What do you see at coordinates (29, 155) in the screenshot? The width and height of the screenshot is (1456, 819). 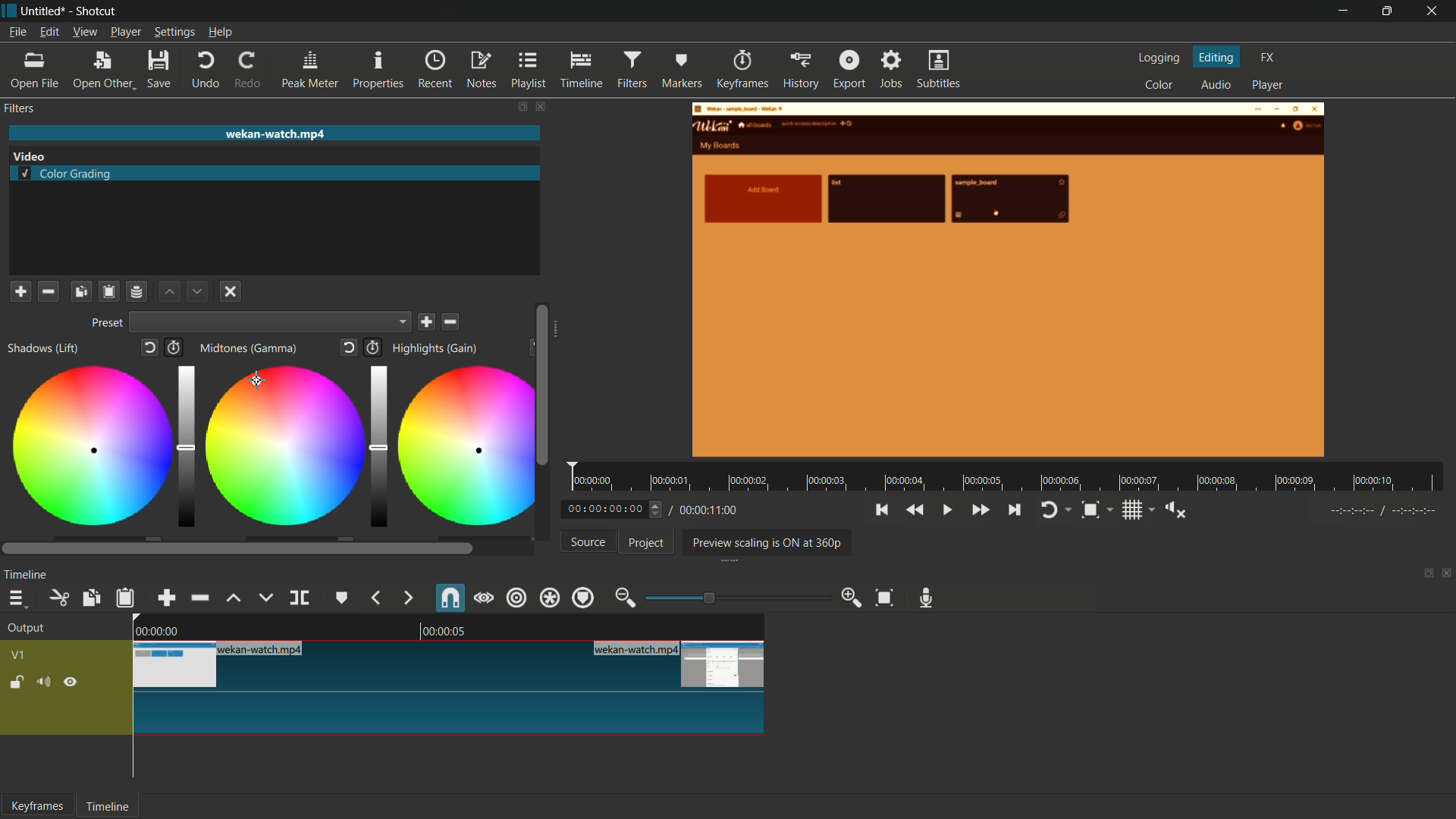 I see `color grading` at bounding box center [29, 155].